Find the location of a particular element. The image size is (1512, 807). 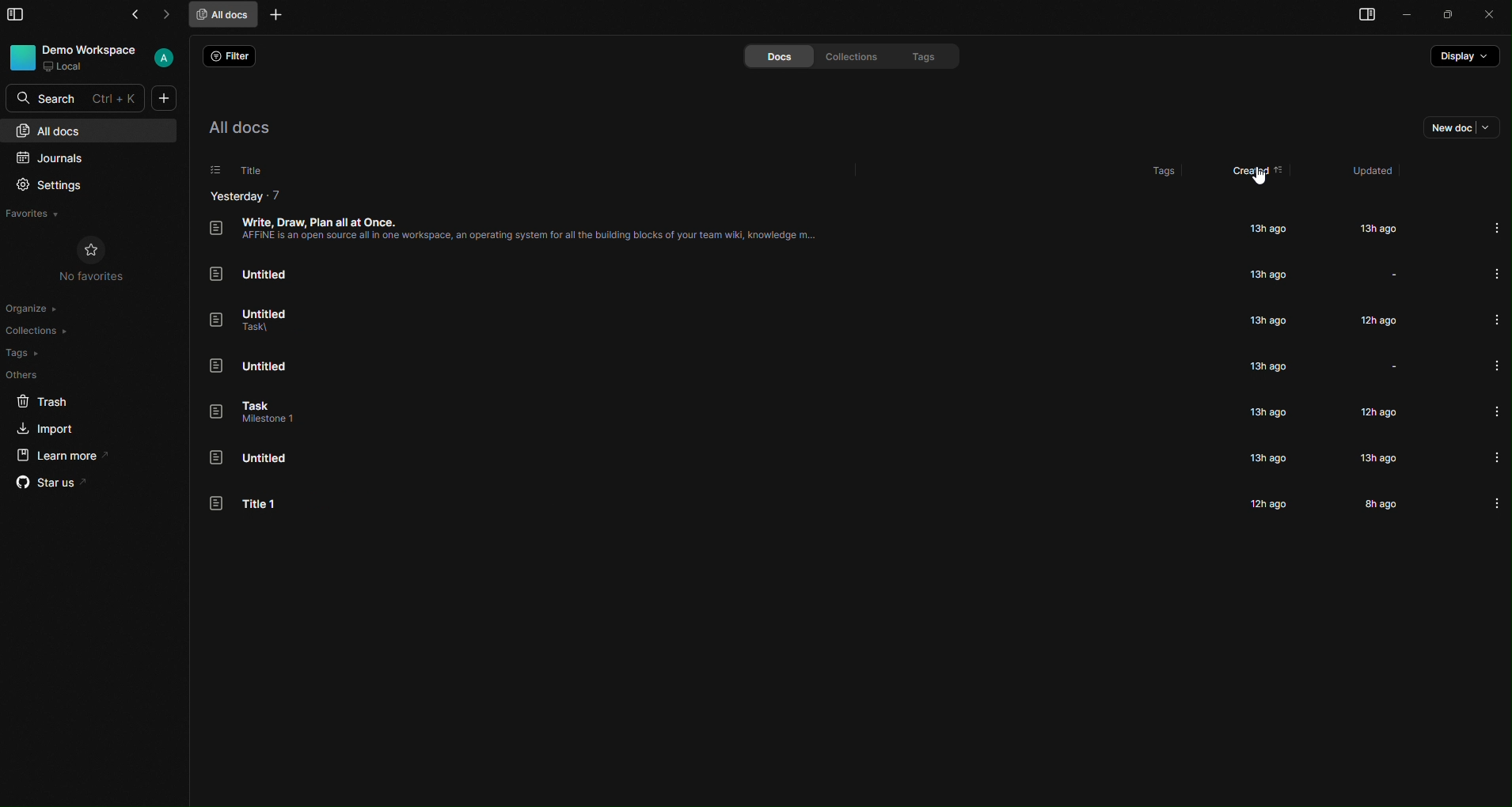

display is located at coordinates (1465, 56).